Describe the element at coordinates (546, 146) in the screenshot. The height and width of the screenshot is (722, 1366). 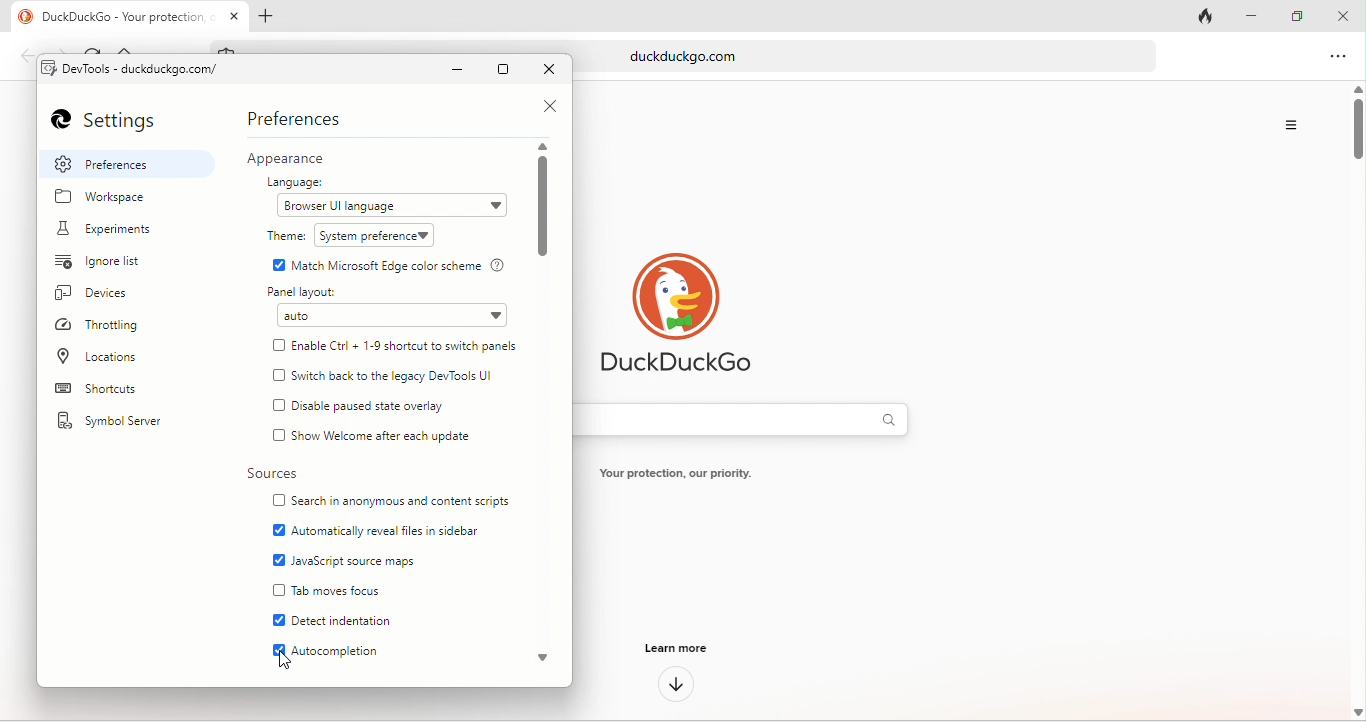
I see `scroll up` at that location.